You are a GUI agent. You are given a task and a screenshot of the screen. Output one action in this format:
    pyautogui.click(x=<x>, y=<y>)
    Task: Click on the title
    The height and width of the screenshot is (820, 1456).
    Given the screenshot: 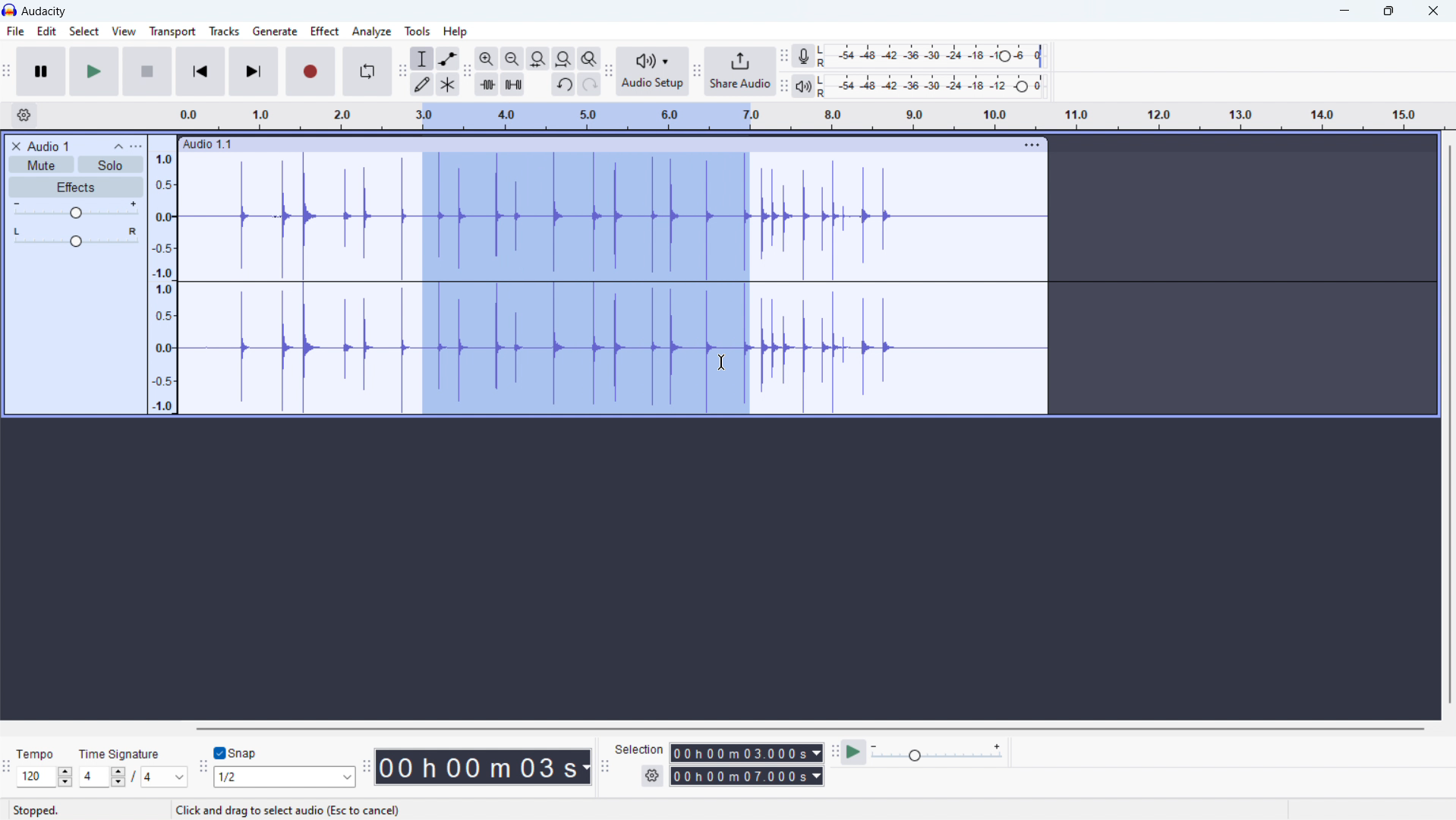 What is the action you would take?
    pyautogui.click(x=43, y=11)
    